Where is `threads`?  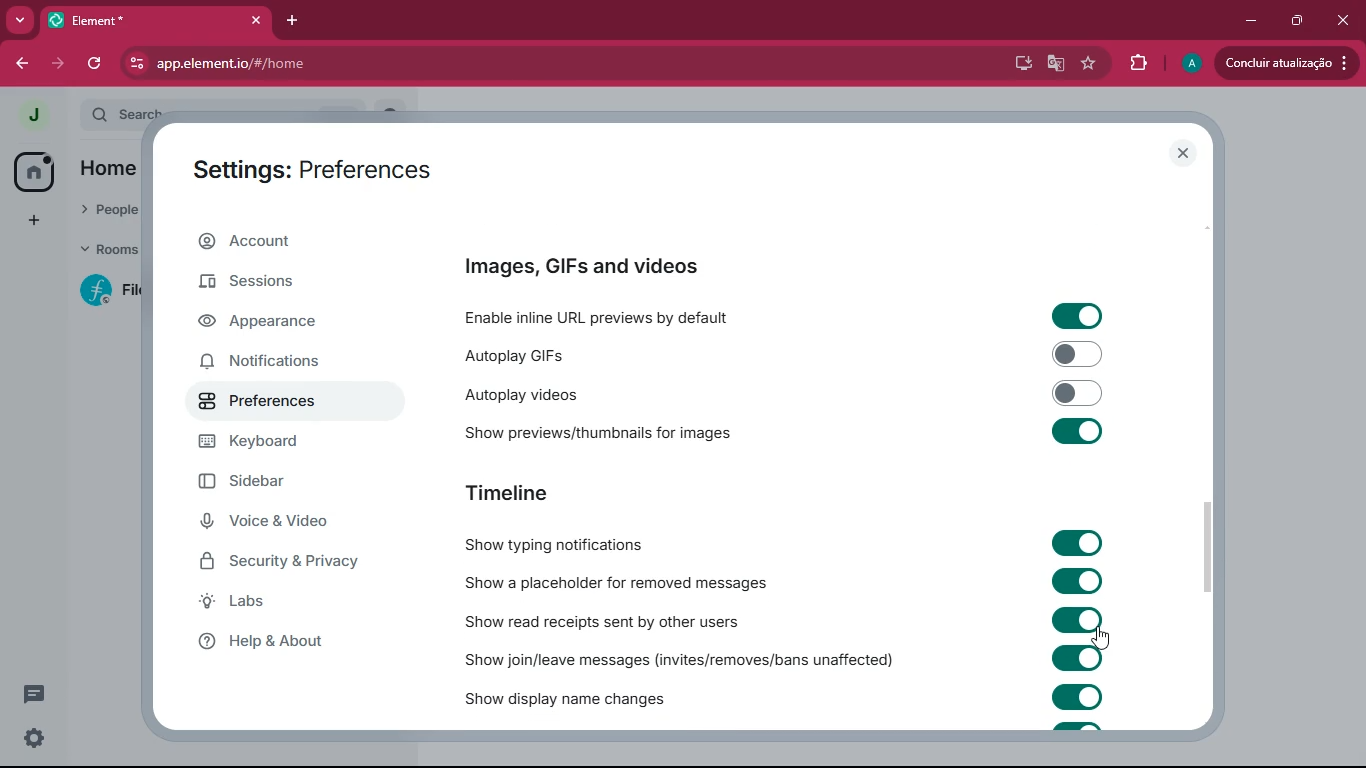
threads is located at coordinates (34, 694).